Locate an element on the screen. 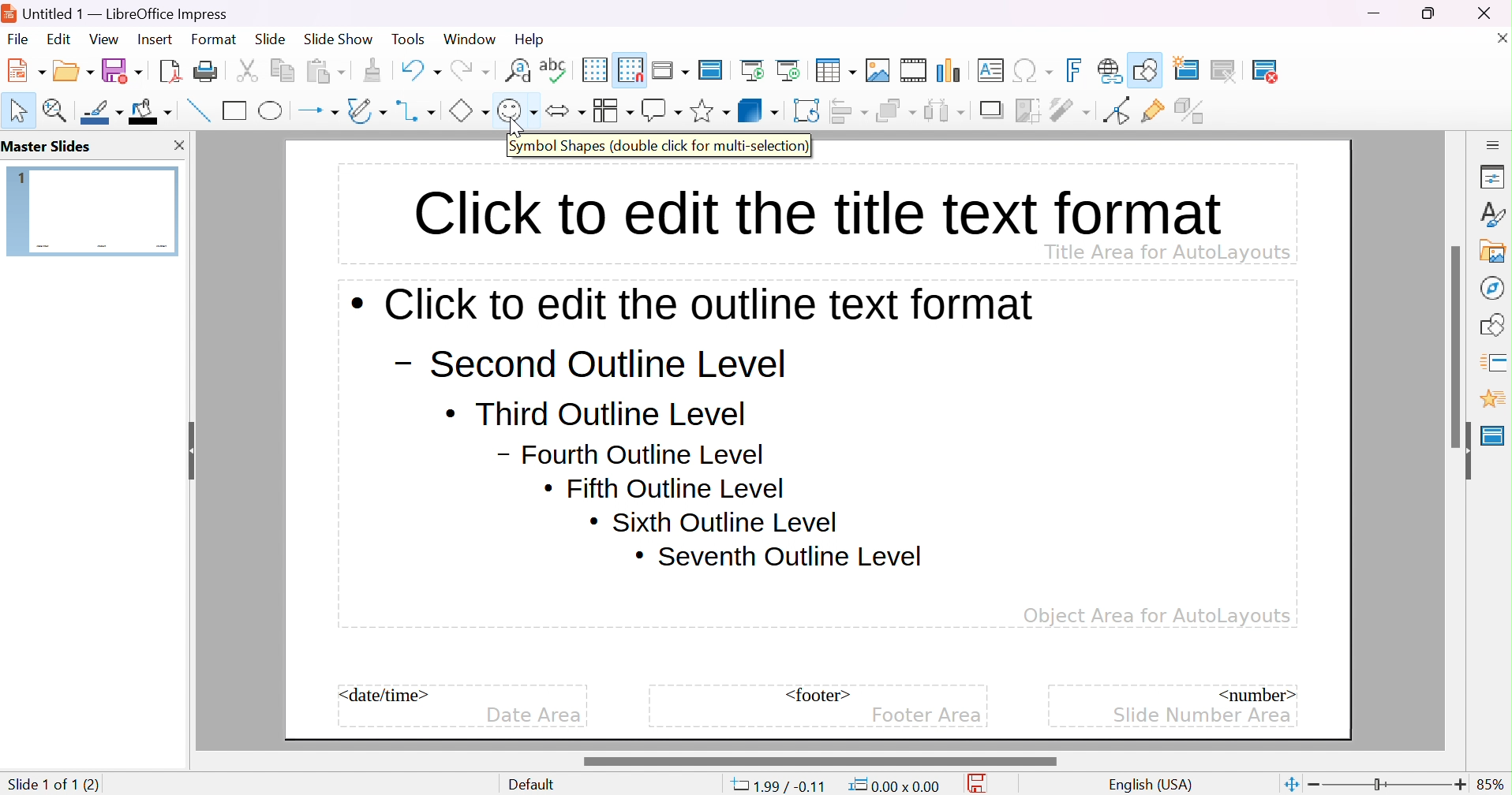 This screenshot has height=795, width=1512. insert text box is located at coordinates (990, 69).